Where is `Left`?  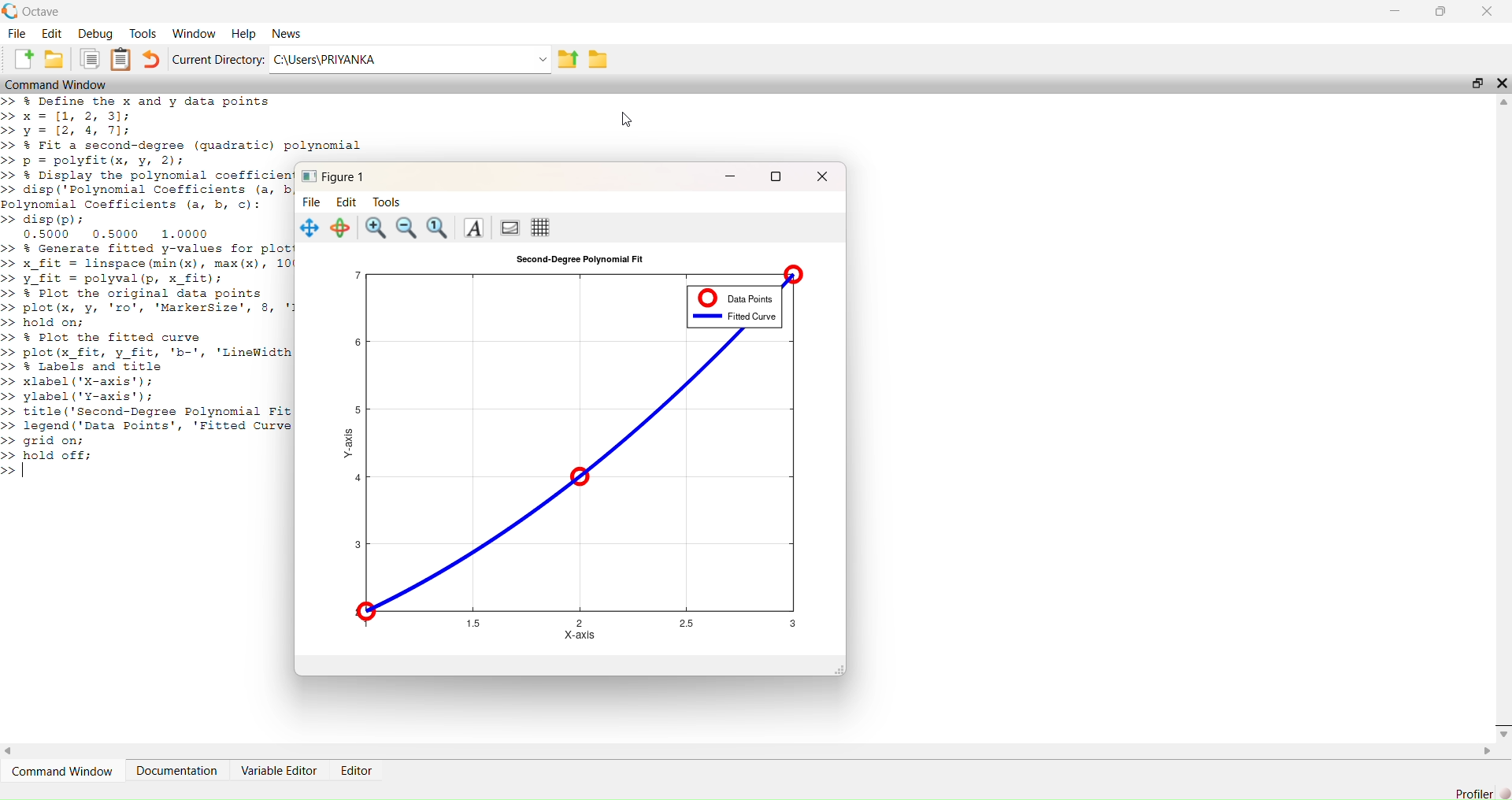
Left is located at coordinates (14, 750).